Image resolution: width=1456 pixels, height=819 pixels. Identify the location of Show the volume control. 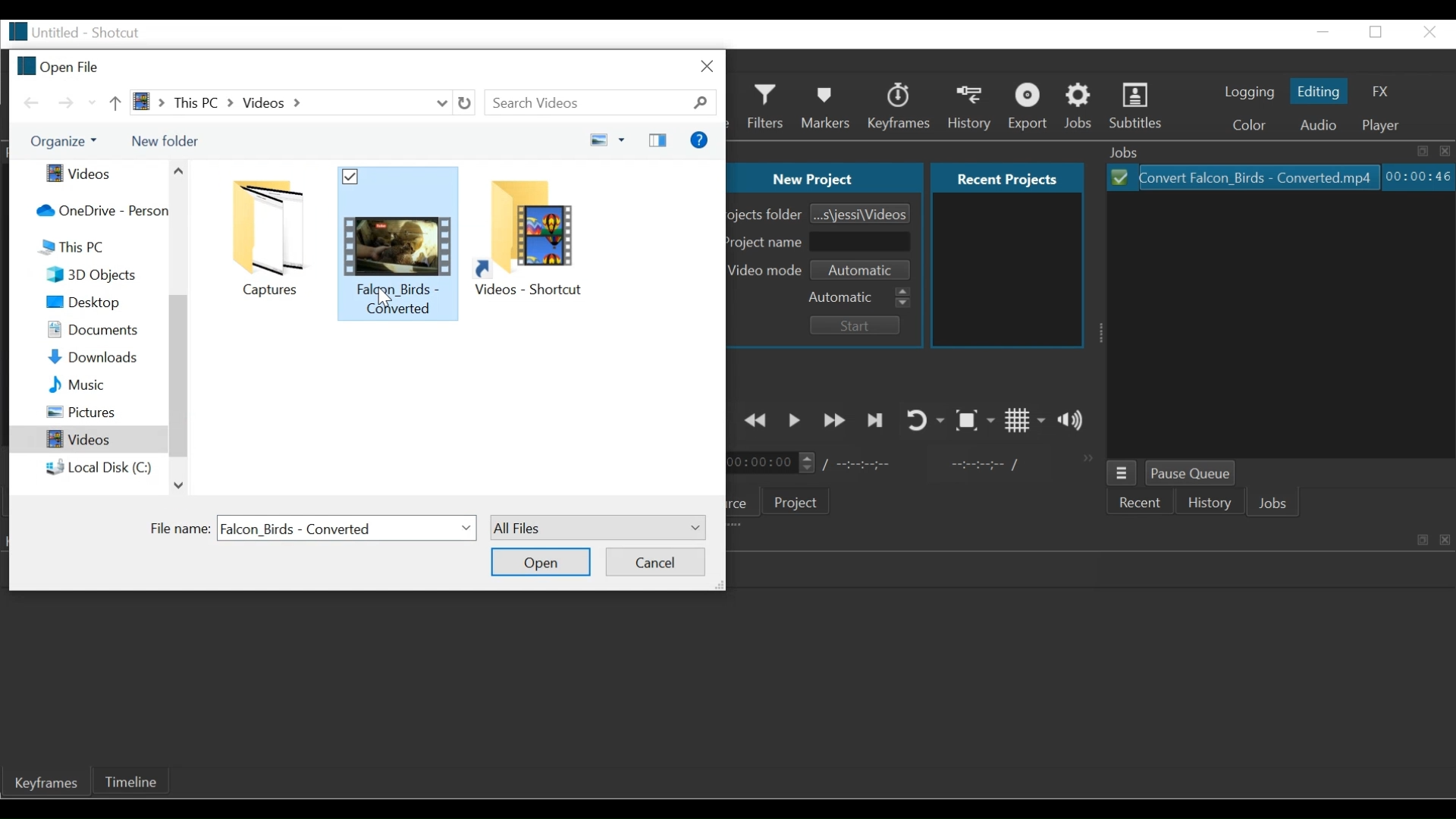
(1071, 421).